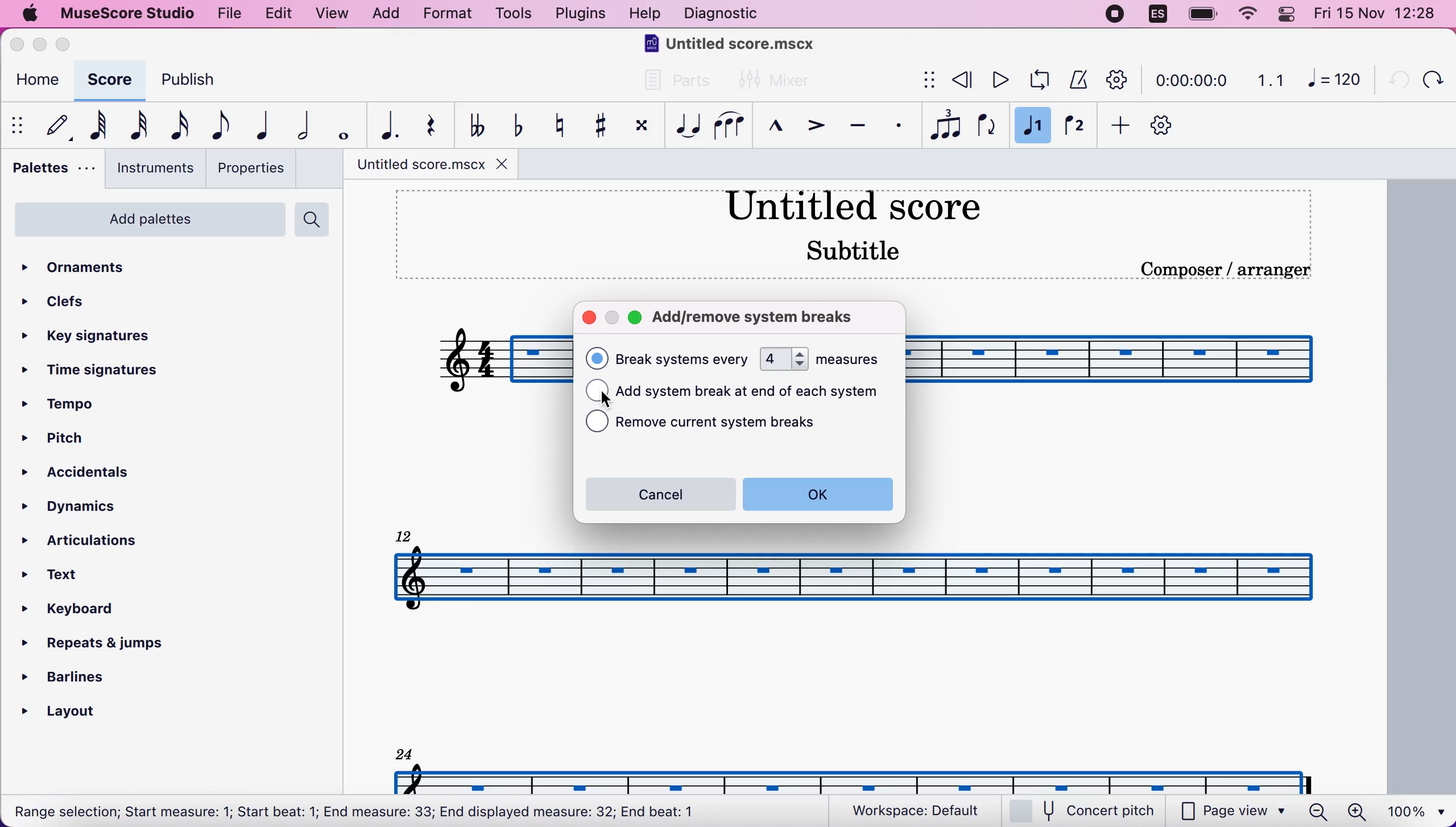  What do you see at coordinates (725, 15) in the screenshot?
I see `diagnostic` at bounding box center [725, 15].